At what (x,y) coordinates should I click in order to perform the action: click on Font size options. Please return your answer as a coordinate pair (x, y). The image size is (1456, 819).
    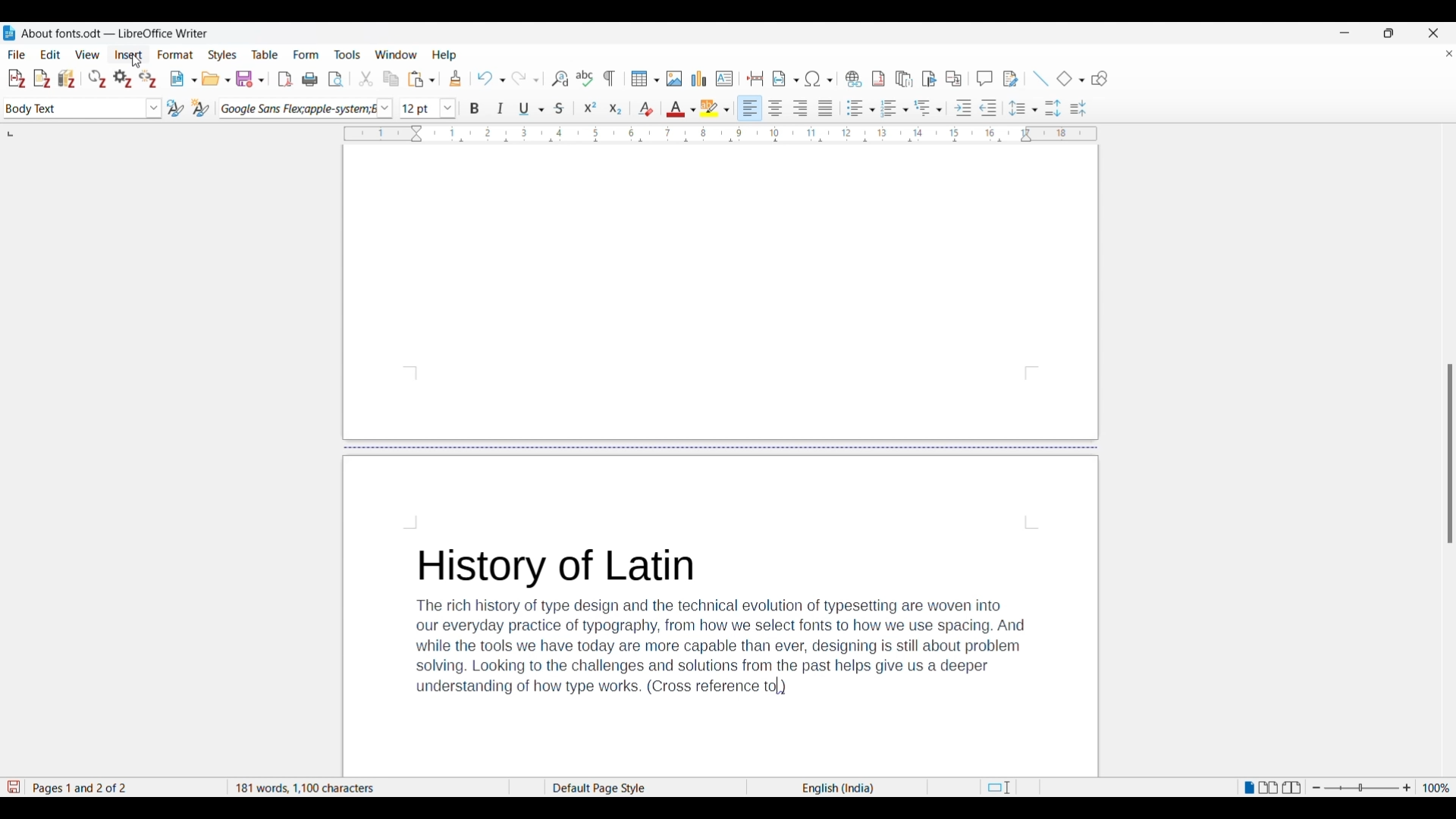
    Looking at the image, I should click on (448, 108).